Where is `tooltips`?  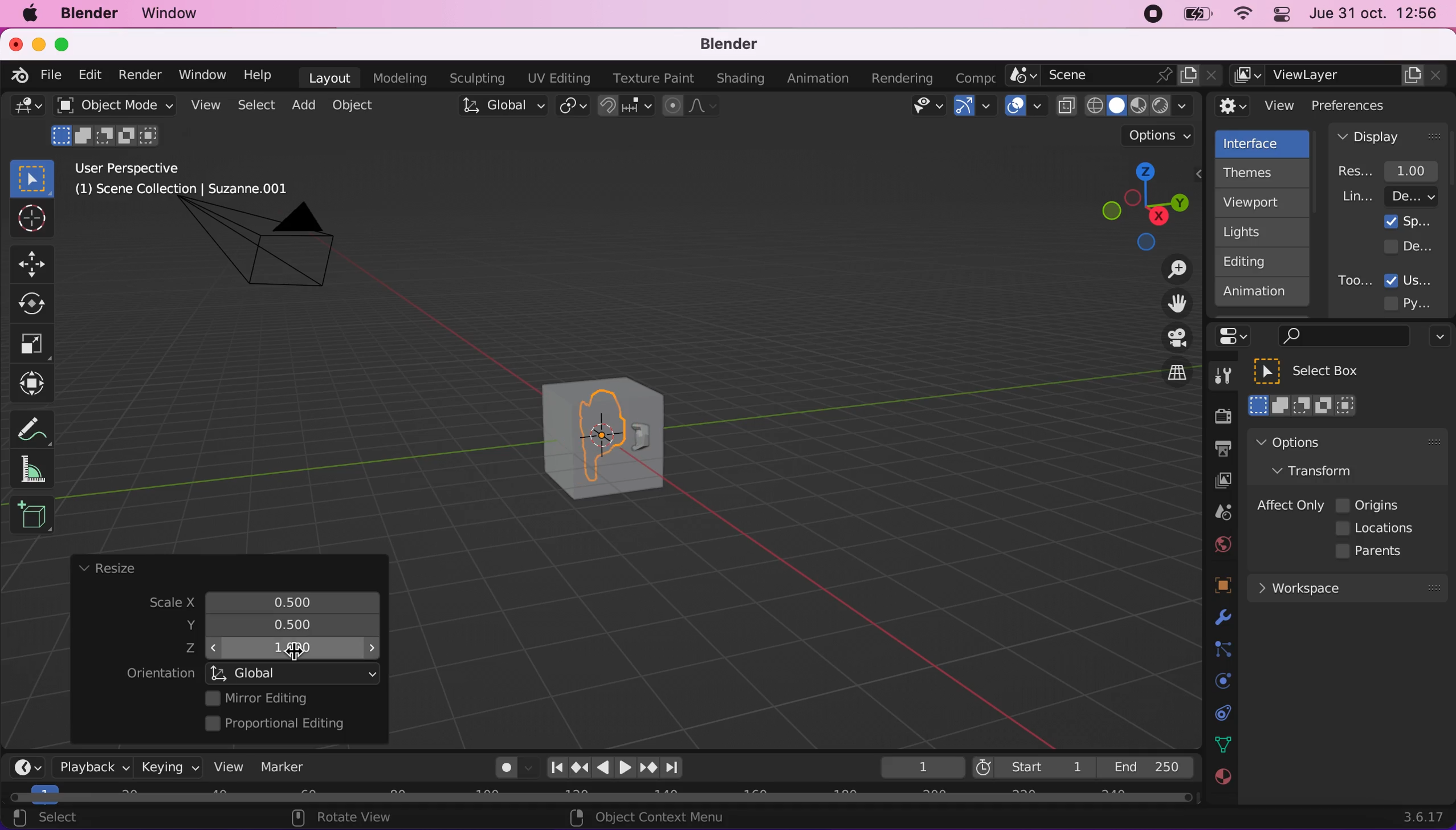 tooltips is located at coordinates (1354, 280).